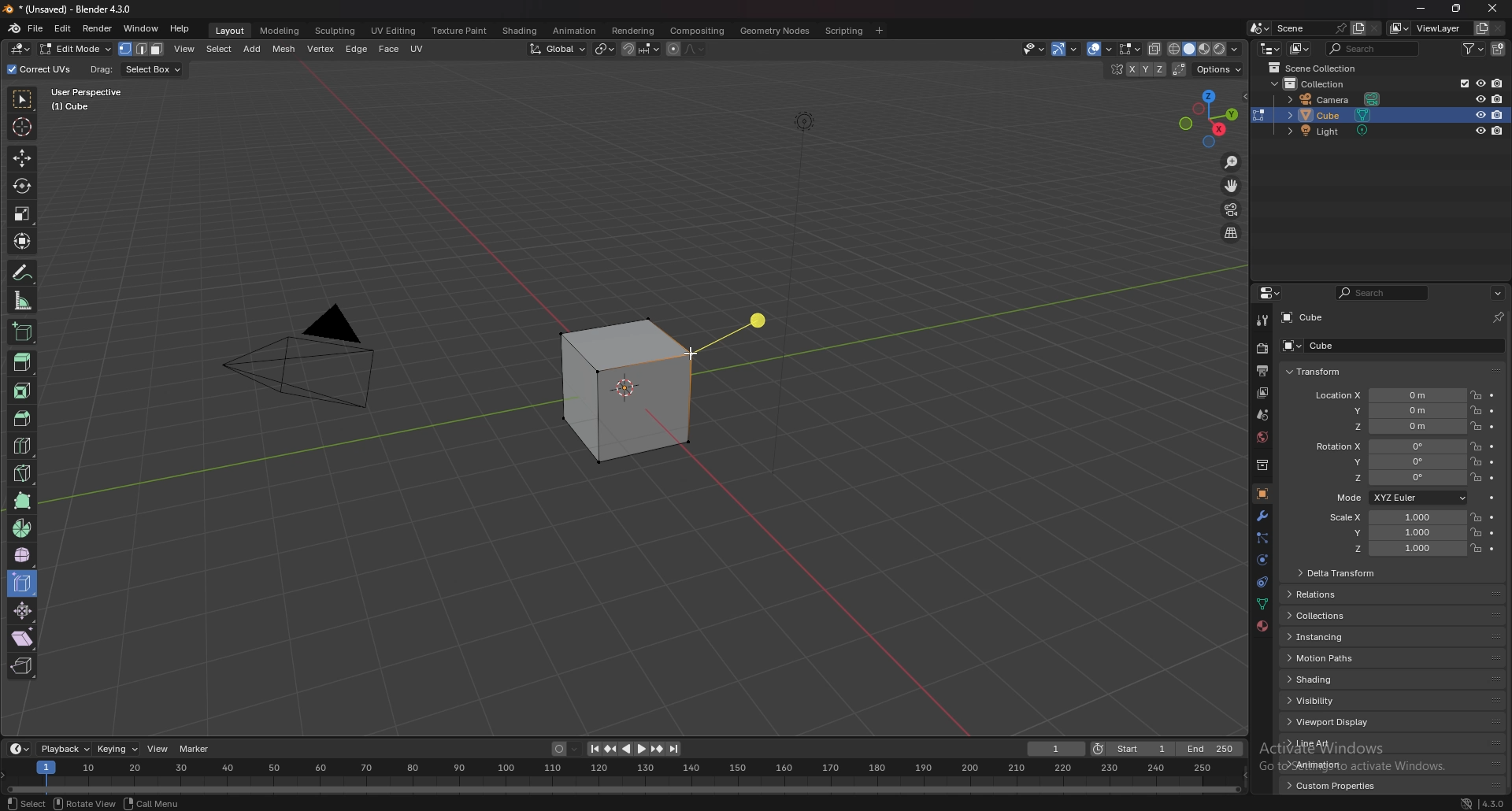 Image resolution: width=1512 pixels, height=811 pixels. I want to click on animate property, so click(1492, 462).